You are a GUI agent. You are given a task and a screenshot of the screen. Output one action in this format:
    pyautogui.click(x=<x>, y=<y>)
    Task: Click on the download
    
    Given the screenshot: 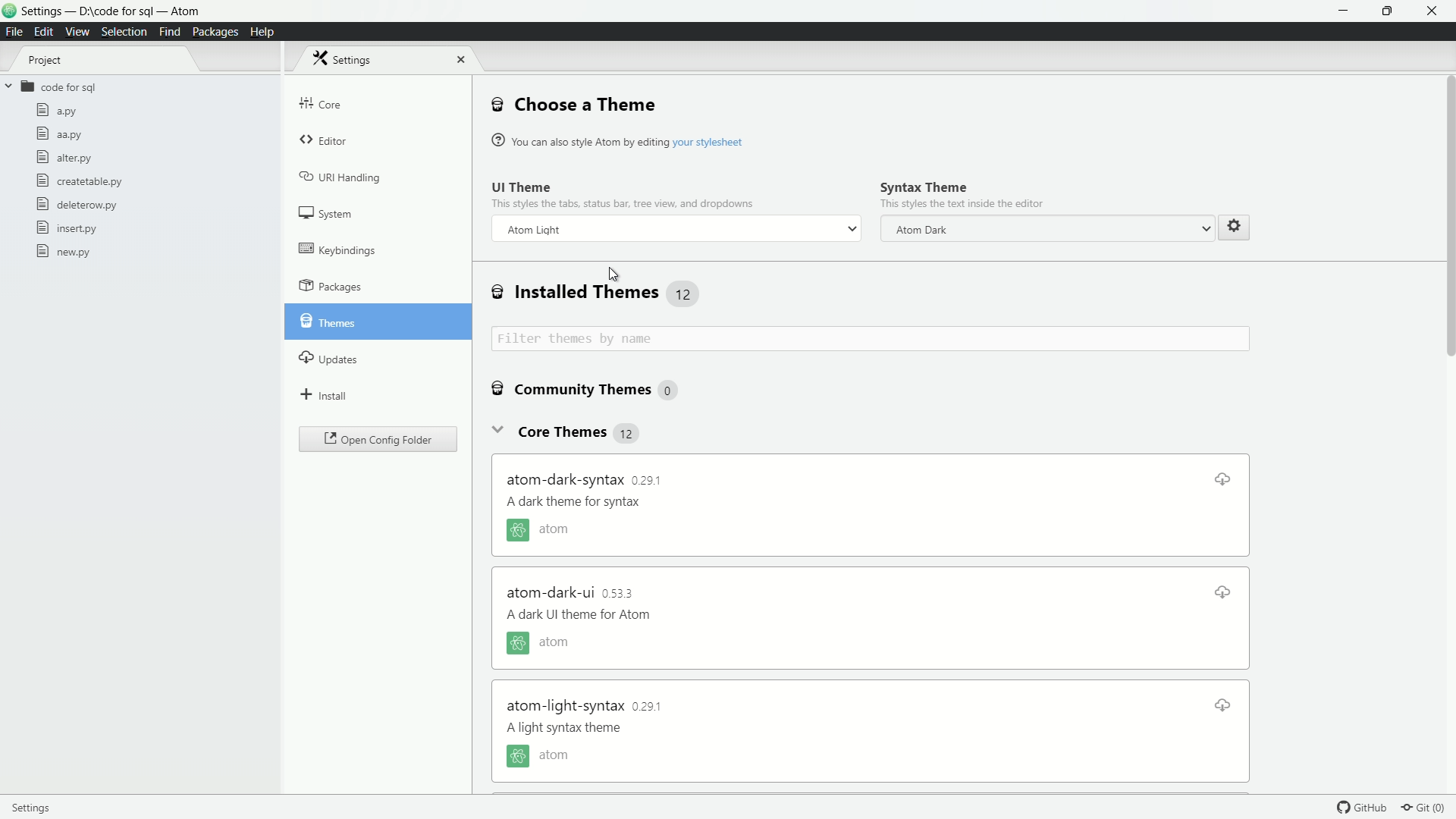 What is the action you would take?
    pyautogui.click(x=1213, y=476)
    